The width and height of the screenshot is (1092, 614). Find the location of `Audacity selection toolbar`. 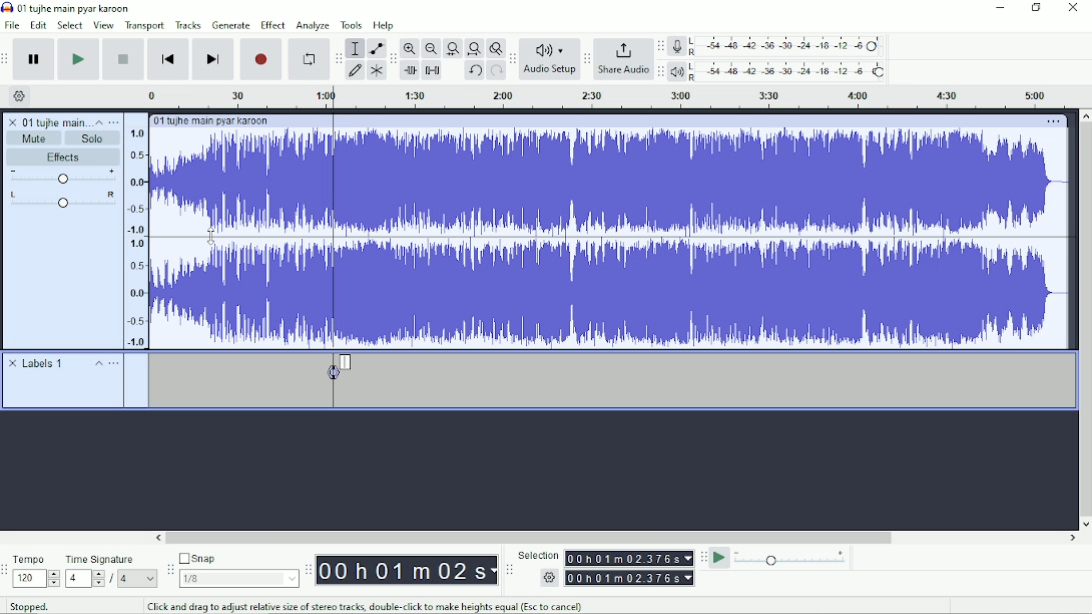

Audacity selection toolbar is located at coordinates (509, 570).